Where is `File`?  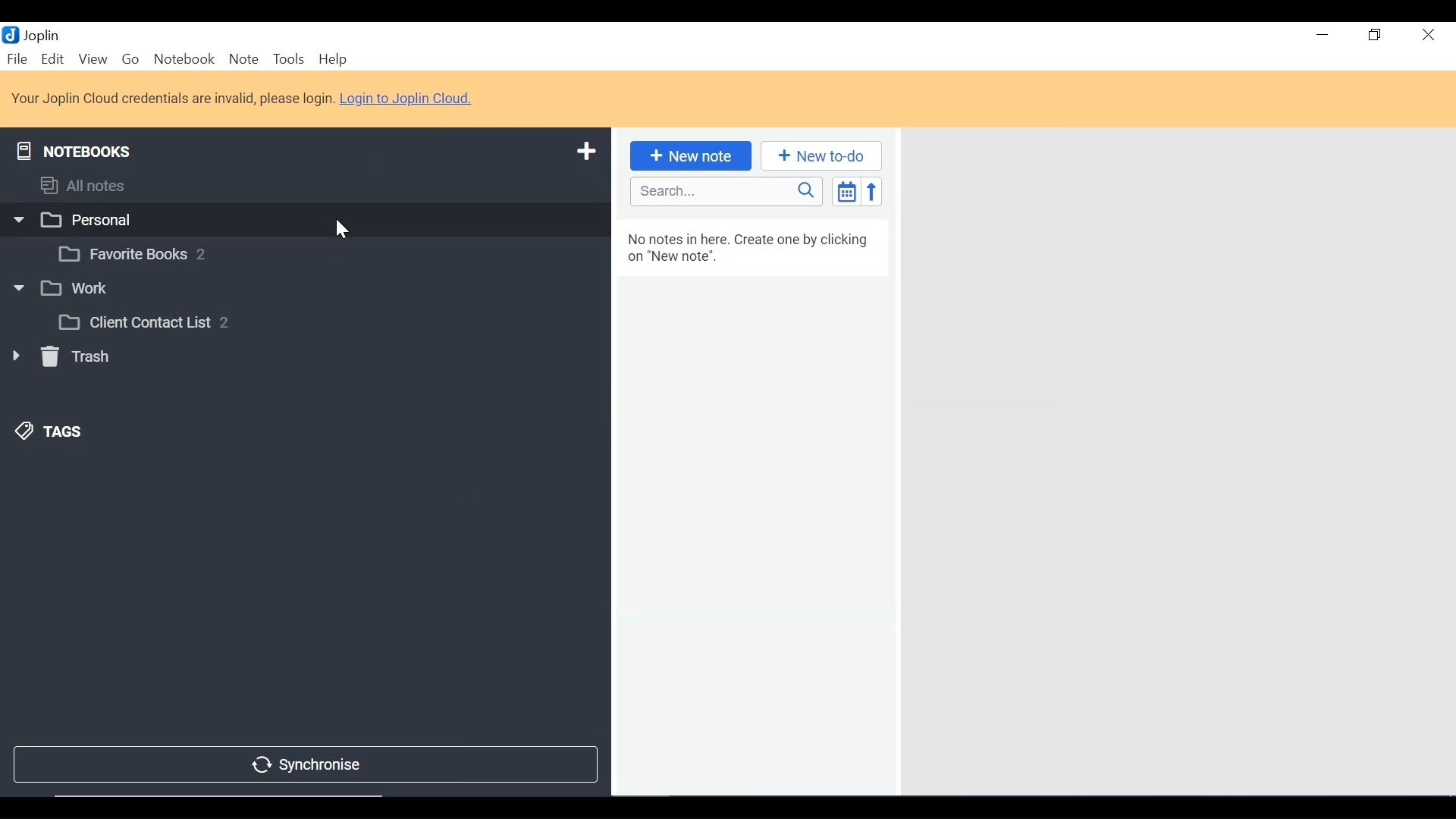 File is located at coordinates (18, 60).